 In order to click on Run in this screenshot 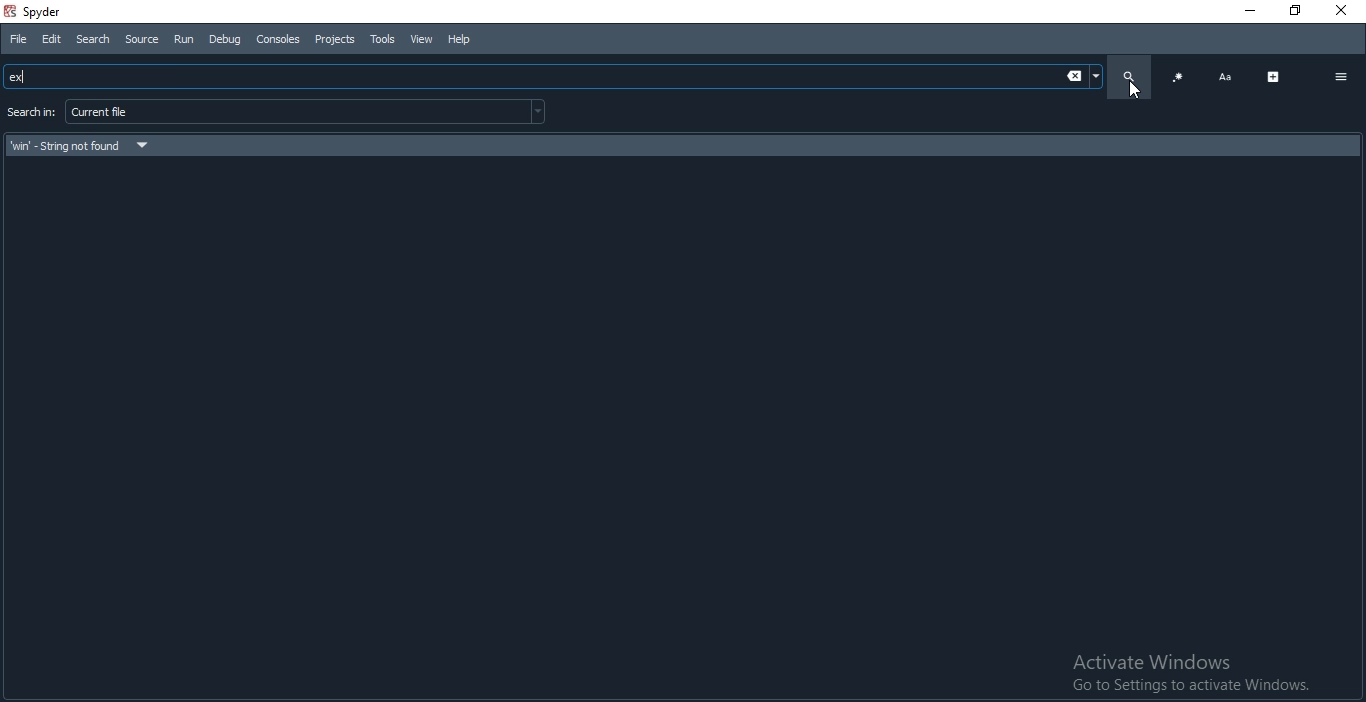, I will do `click(182, 38)`.